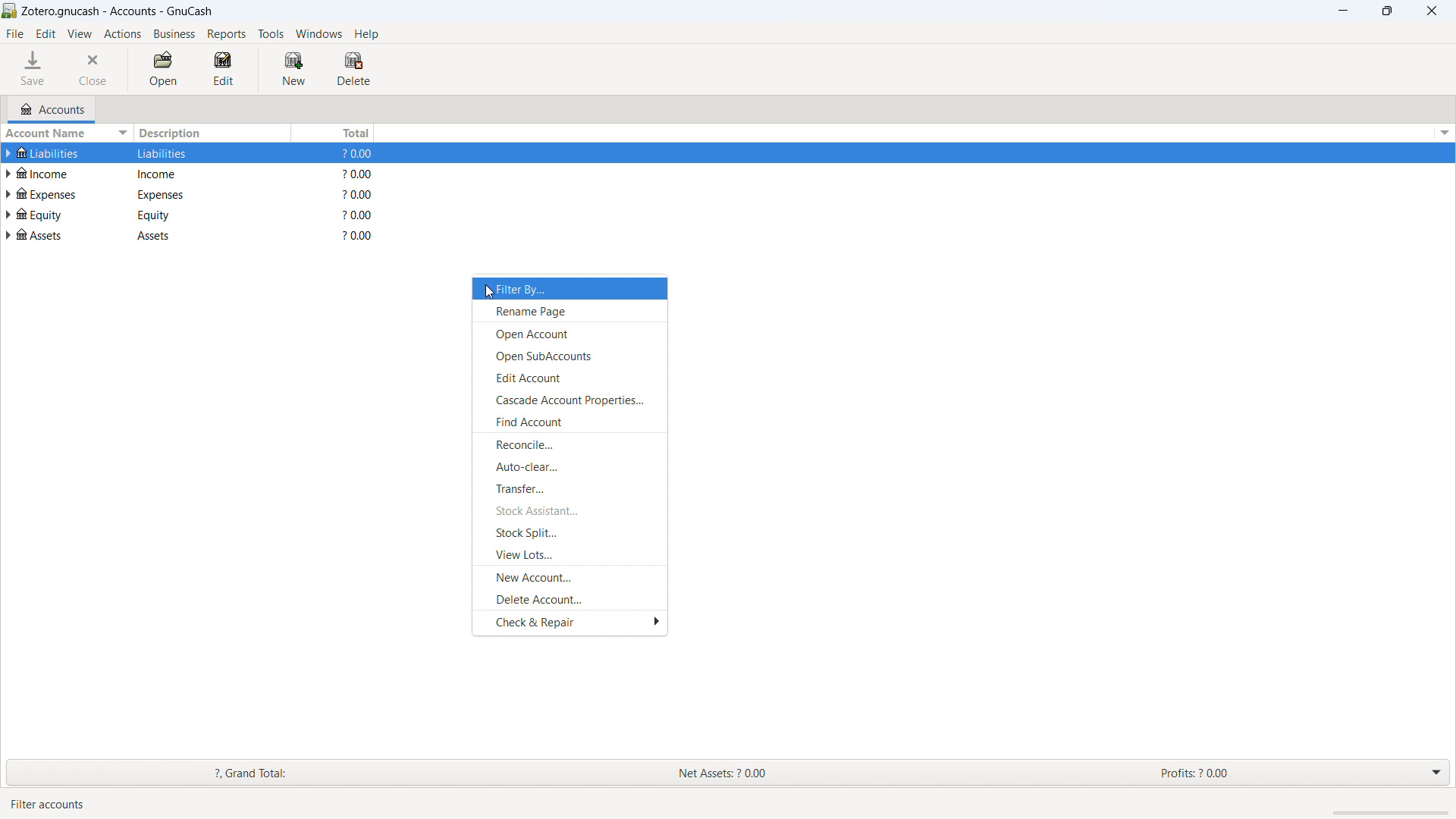 This screenshot has height=819, width=1456. I want to click on open subaccounts, so click(570, 355).